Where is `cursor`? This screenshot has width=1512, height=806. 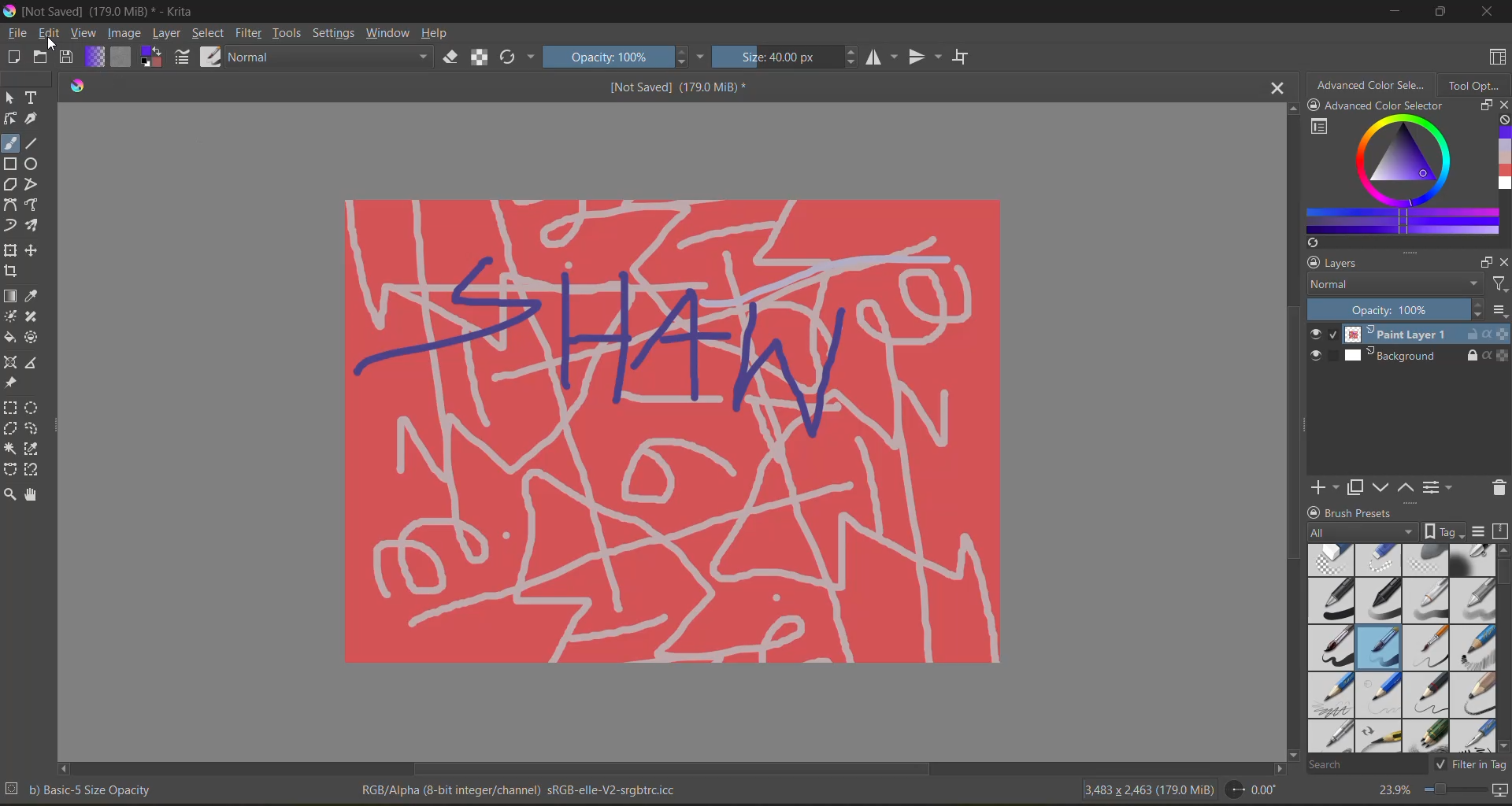
cursor is located at coordinates (54, 45).